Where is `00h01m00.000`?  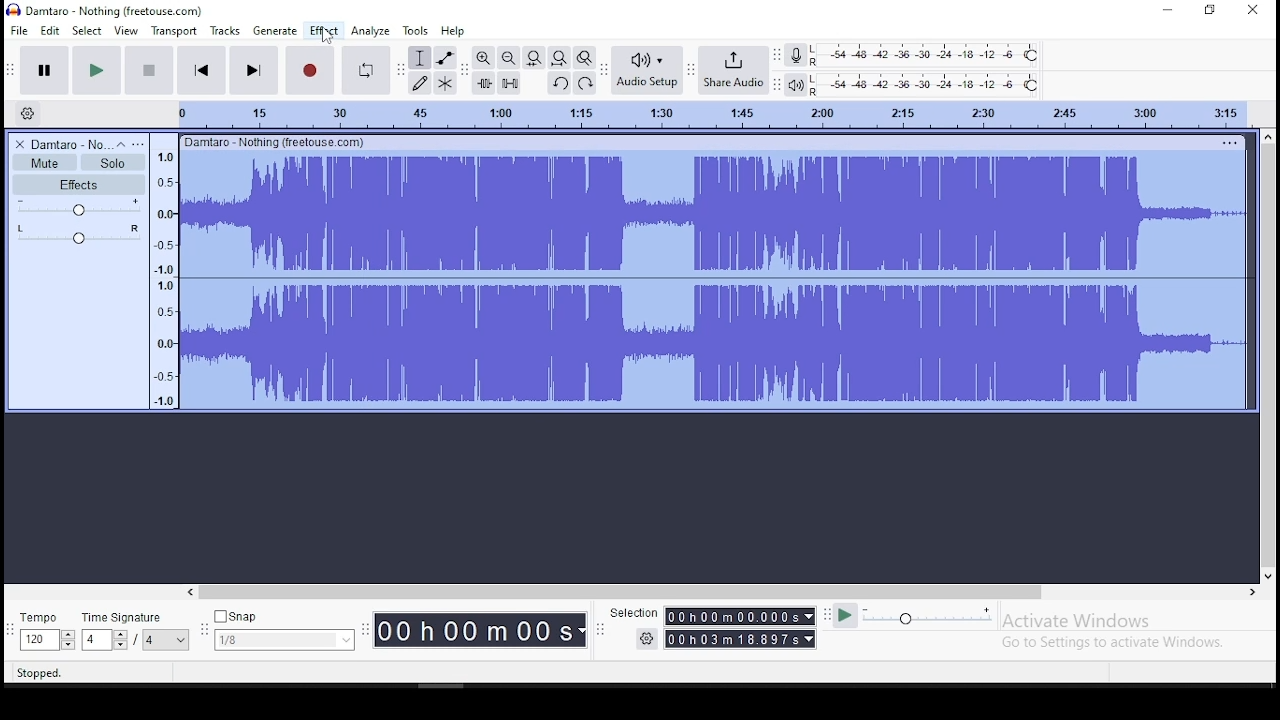 00h01m00.000 is located at coordinates (732, 616).